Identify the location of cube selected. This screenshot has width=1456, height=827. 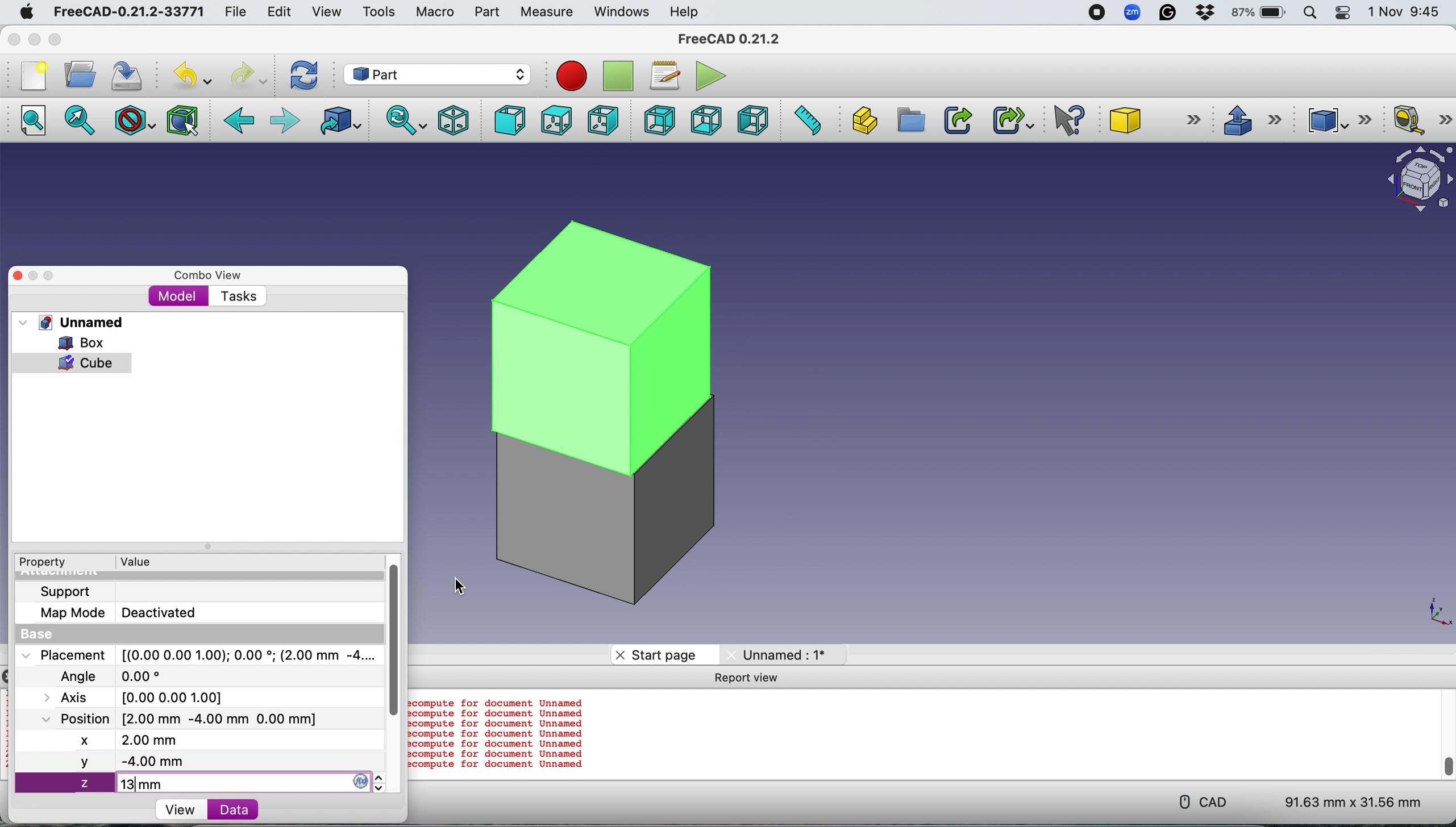
(78, 364).